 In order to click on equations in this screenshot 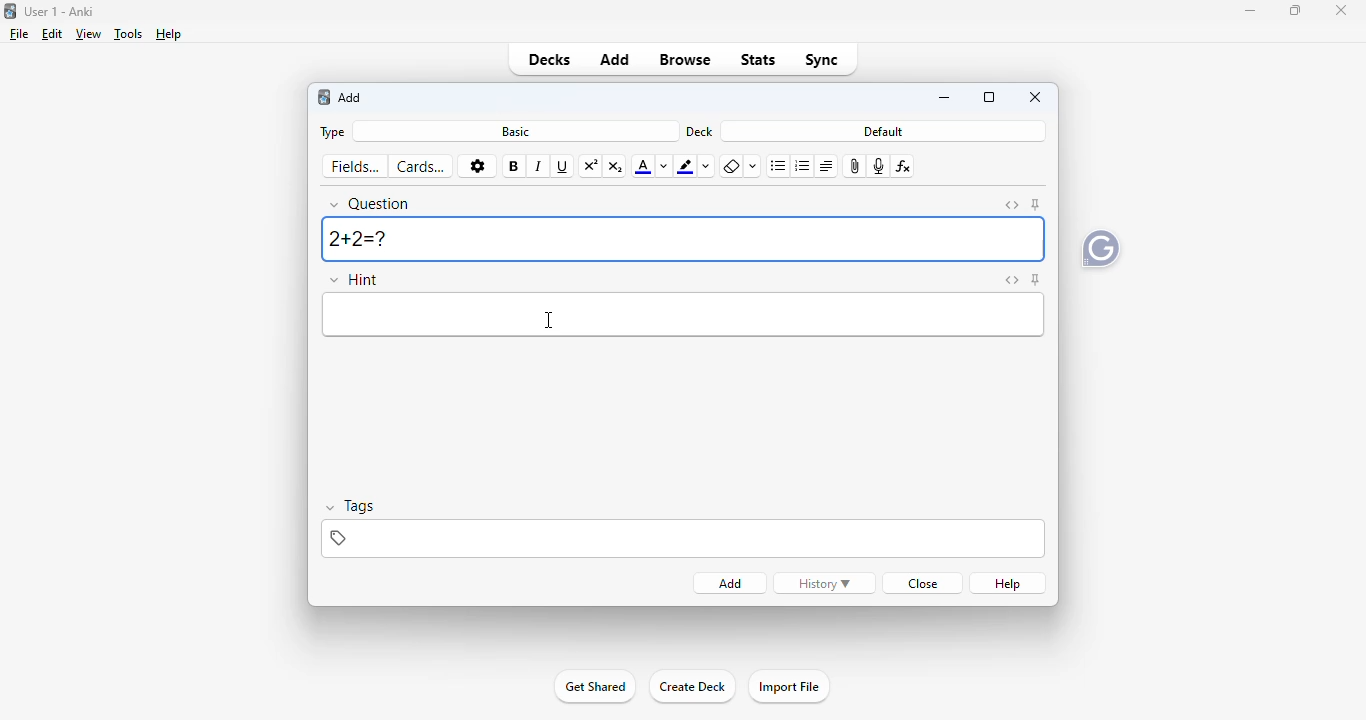, I will do `click(904, 166)`.